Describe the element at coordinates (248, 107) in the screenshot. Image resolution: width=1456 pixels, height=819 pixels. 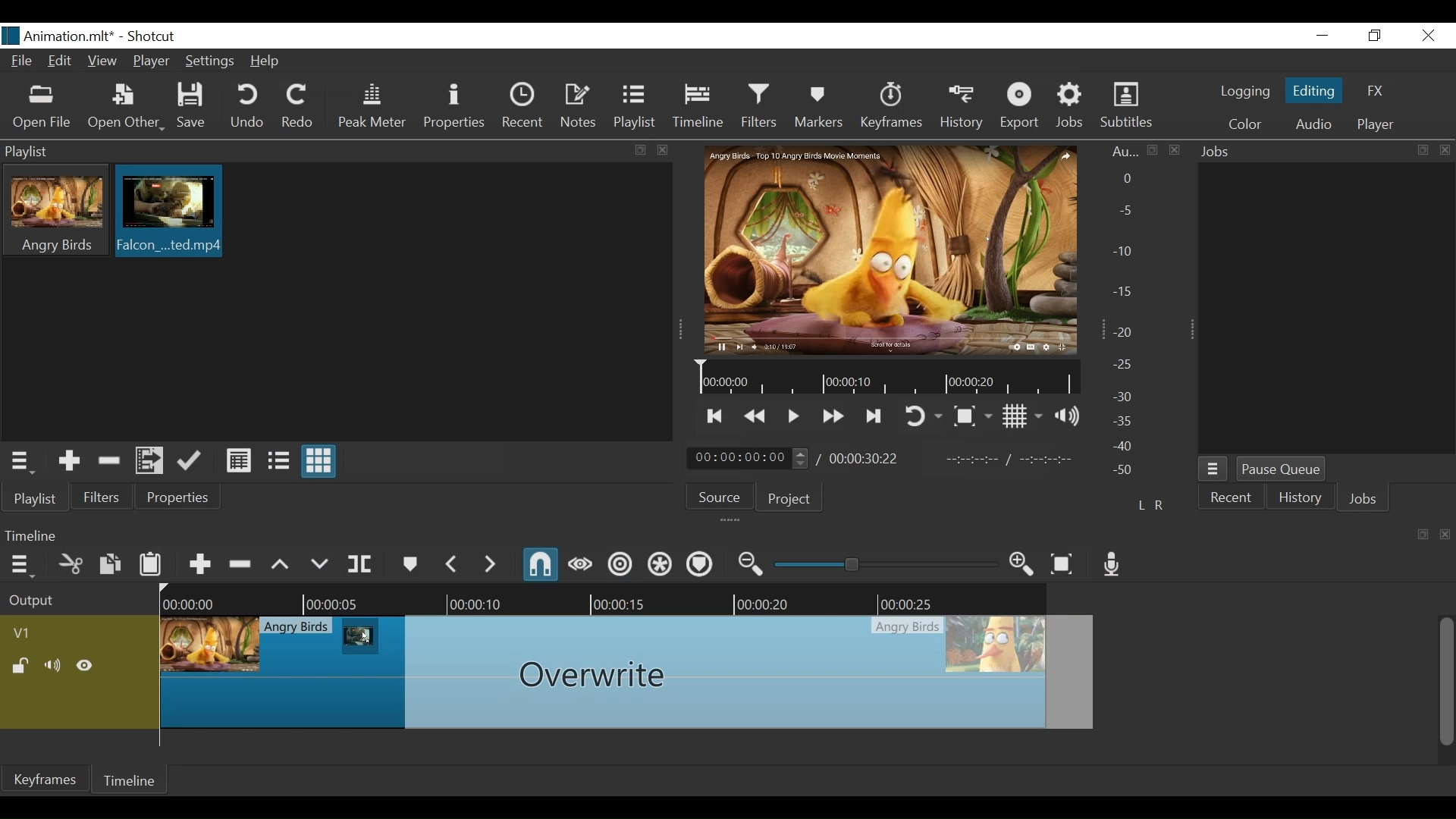
I see `Undo` at that location.